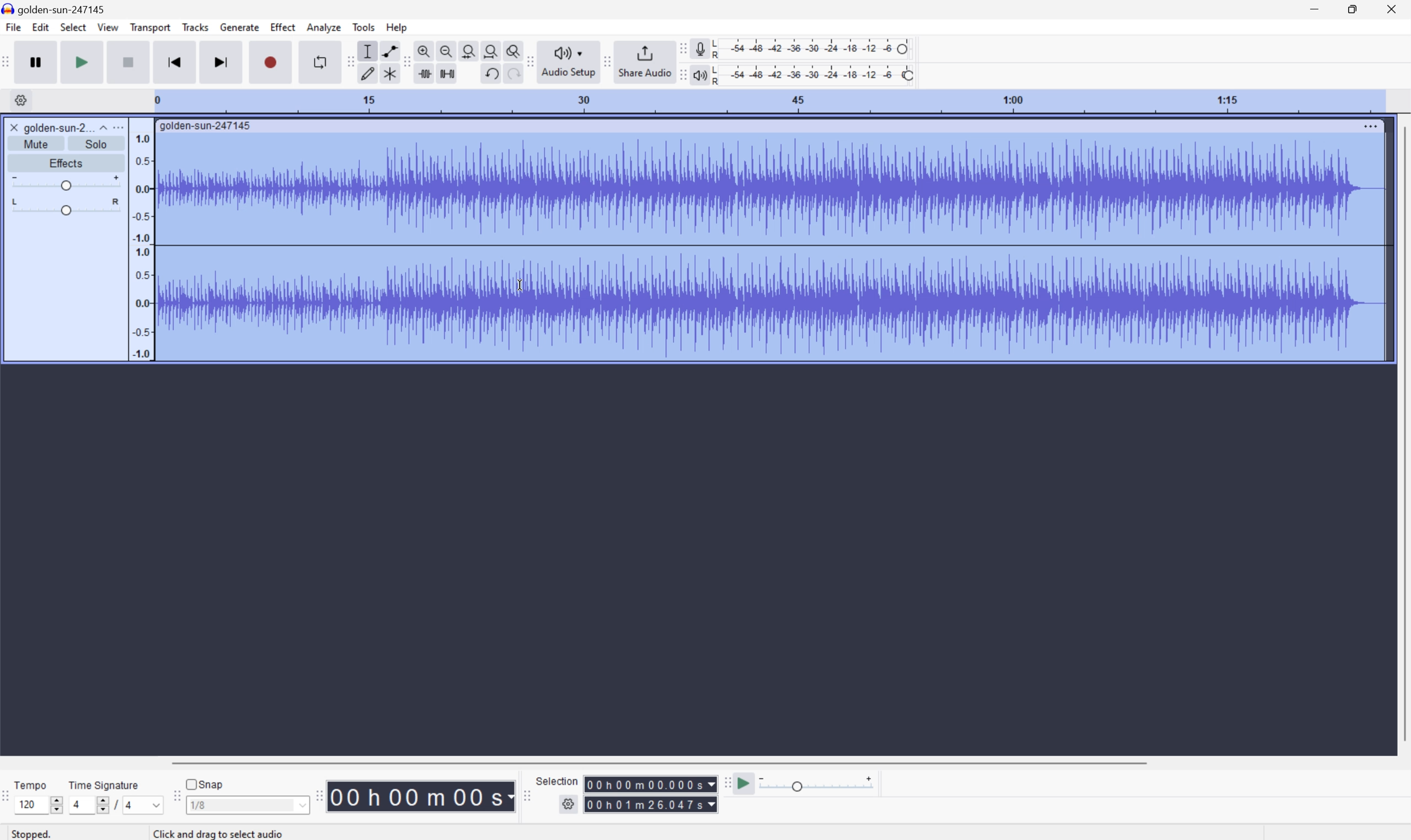  Describe the element at coordinates (469, 49) in the screenshot. I see `Fit selection to width` at that location.